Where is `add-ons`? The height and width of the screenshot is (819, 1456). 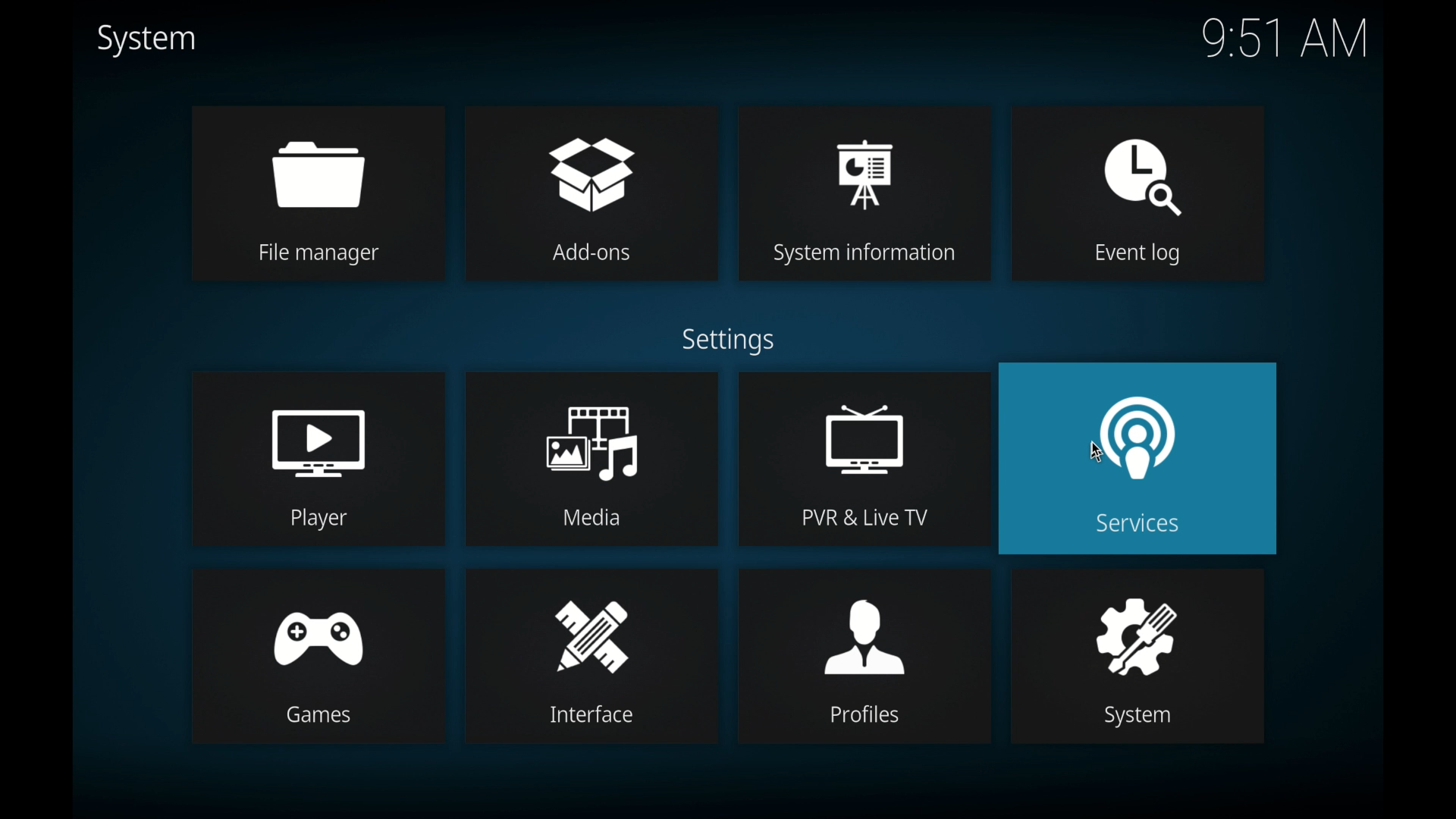
add-ons is located at coordinates (593, 193).